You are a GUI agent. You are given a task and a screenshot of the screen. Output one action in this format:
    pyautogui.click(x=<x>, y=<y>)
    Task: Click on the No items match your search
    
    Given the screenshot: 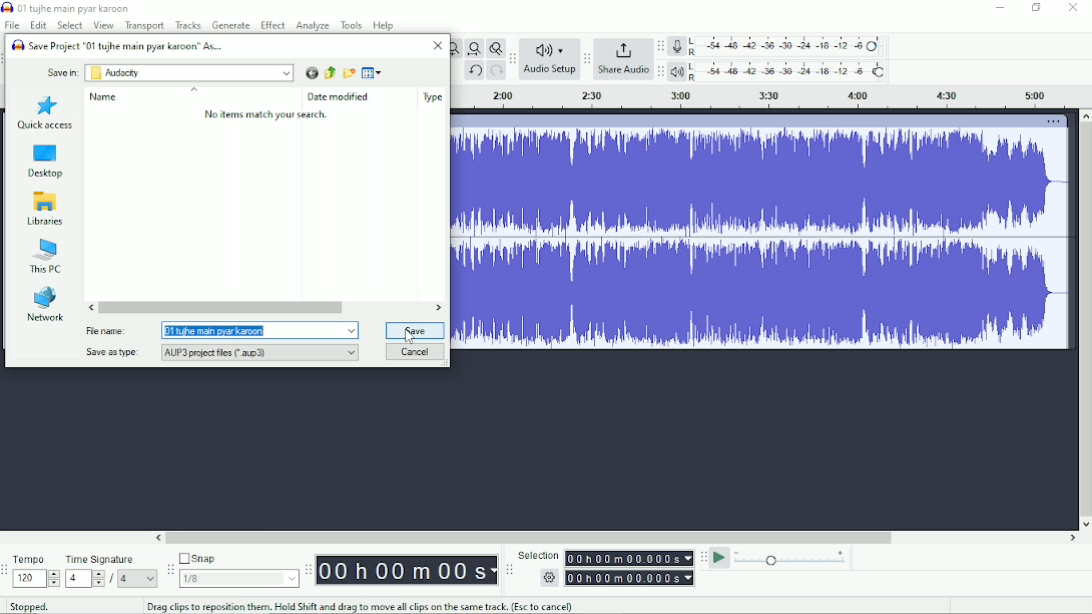 What is the action you would take?
    pyautogui.click(x=268, y=114)
    